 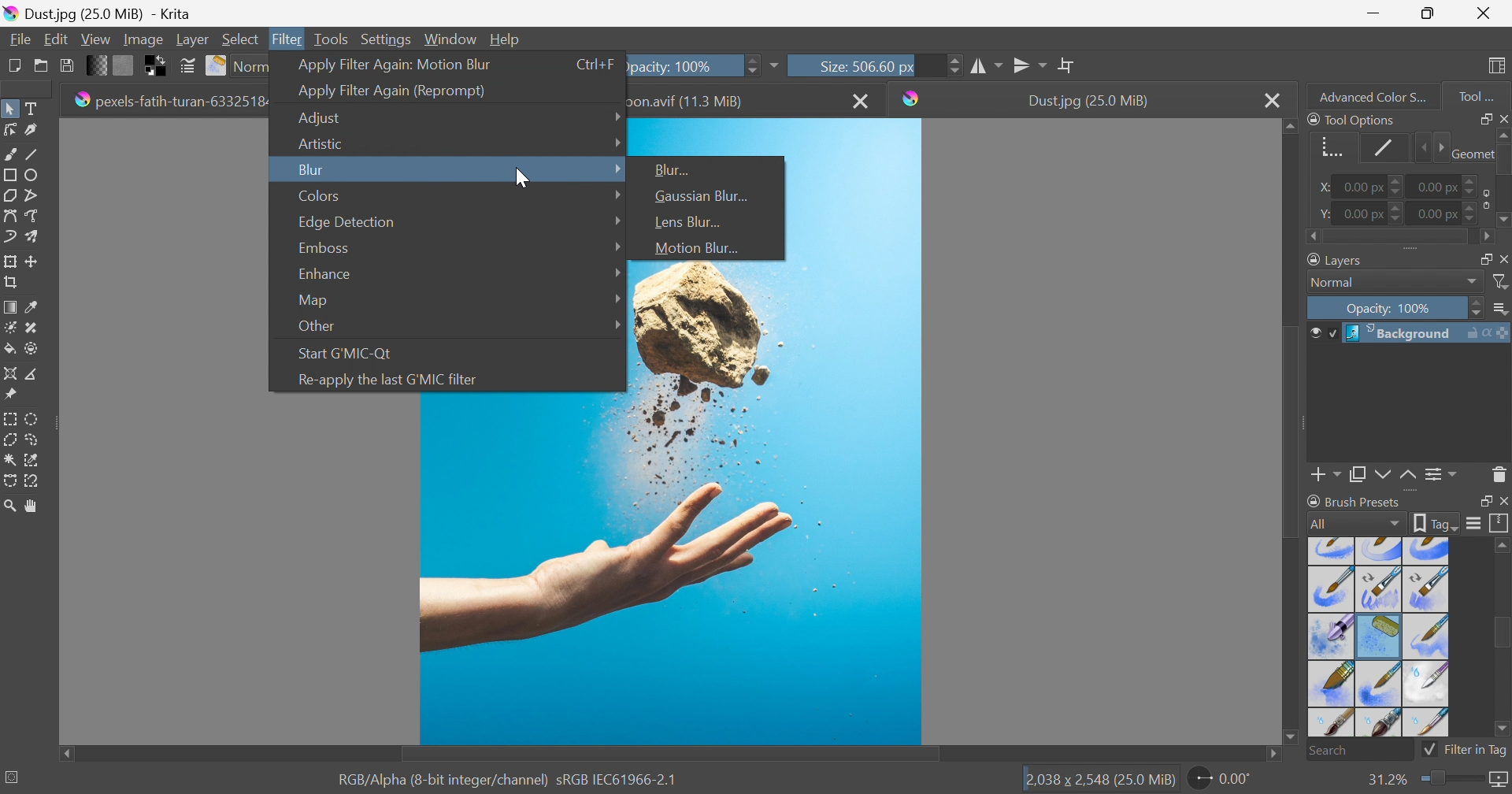 What do you see at coordinates (34, 480) in the screenshot?
I see `Magnetic Curve selection tool` at bounding box center [34, 480].